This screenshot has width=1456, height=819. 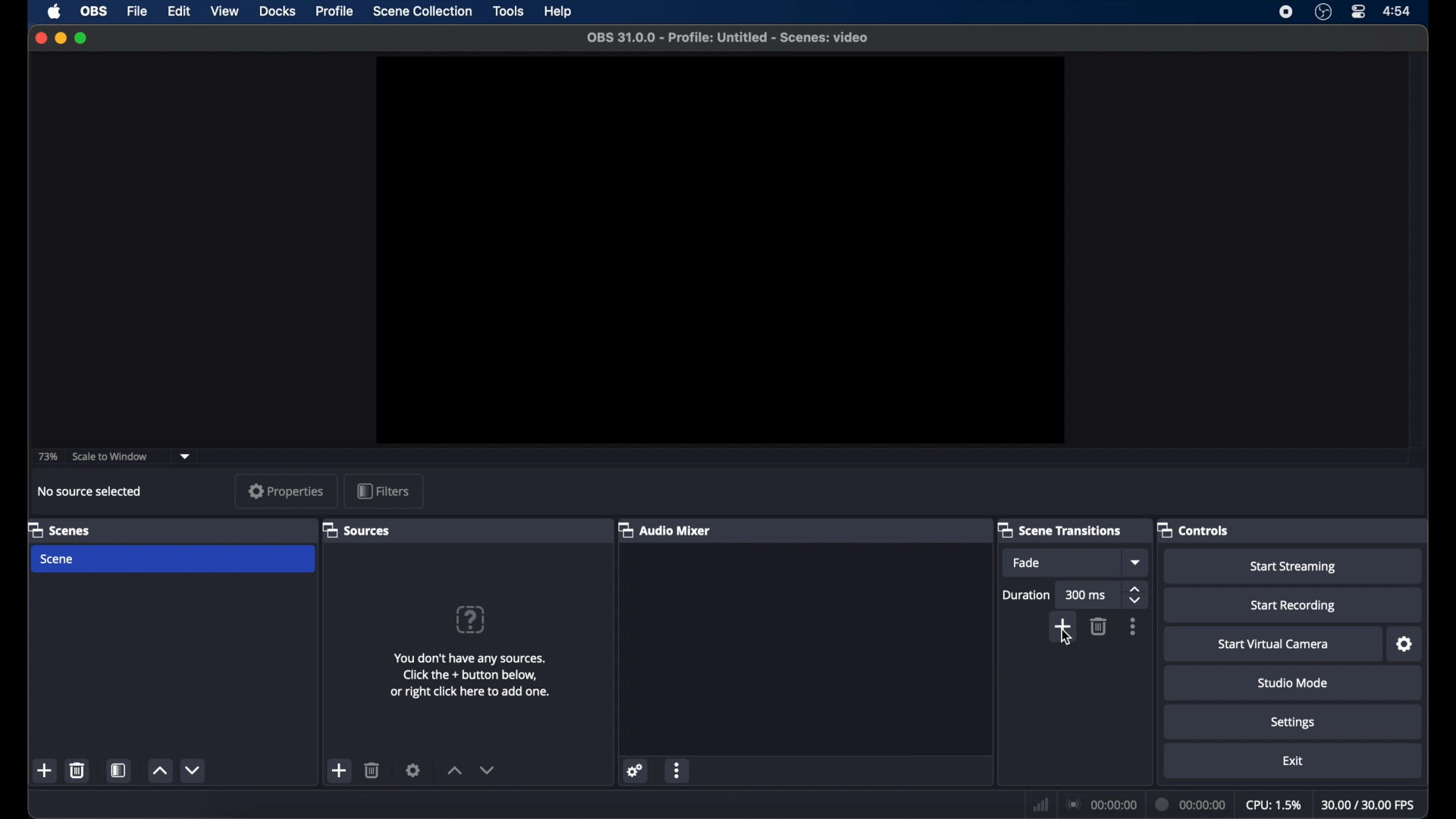 What do you see at coordinates (1192, 529) in the screenshot?
I see `controls` at bounding box center [1192, 529].